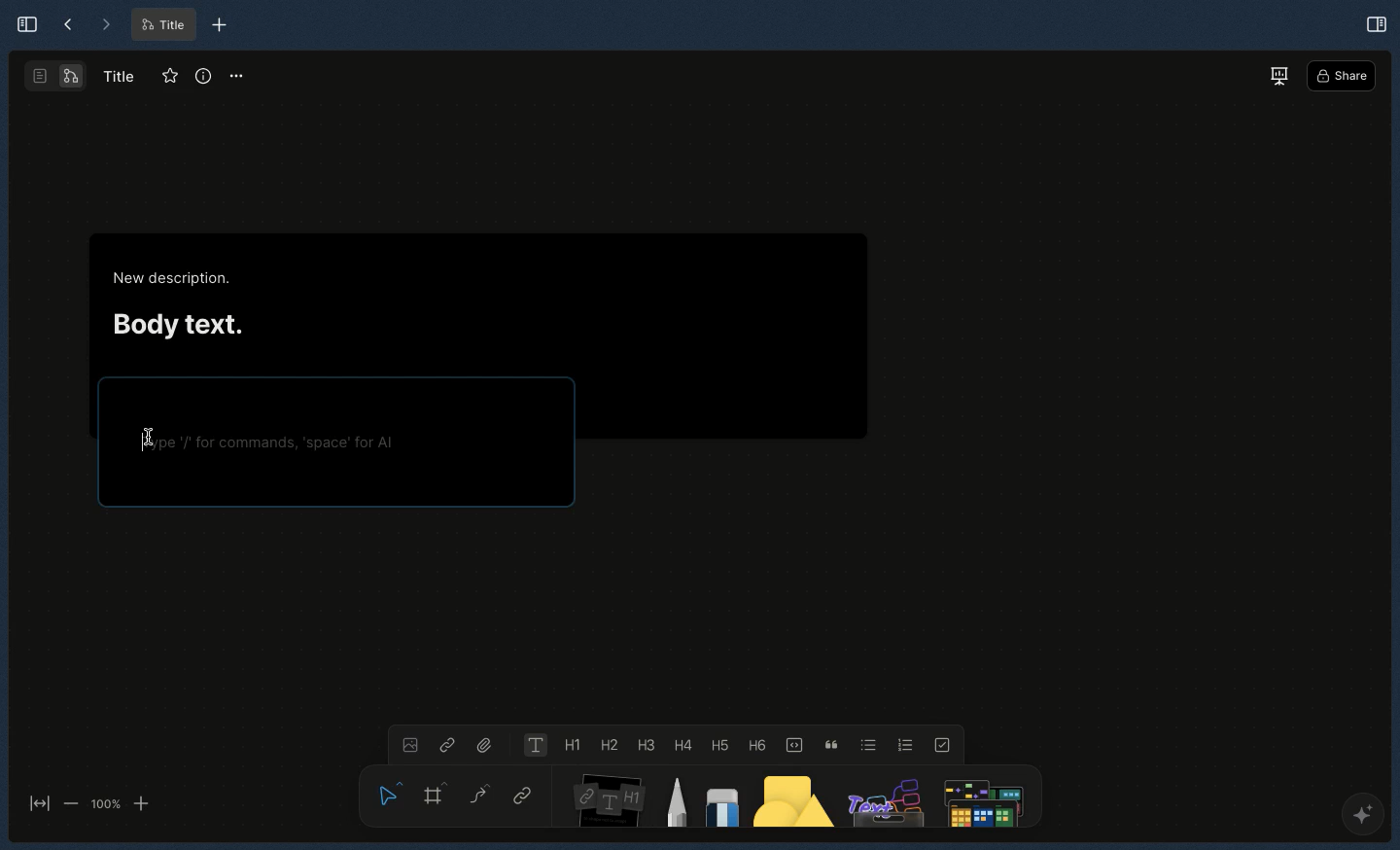  What do you see at coordinates (174, 279) in the screenshot?
I see `New description.` at bounding box center [174, 279].